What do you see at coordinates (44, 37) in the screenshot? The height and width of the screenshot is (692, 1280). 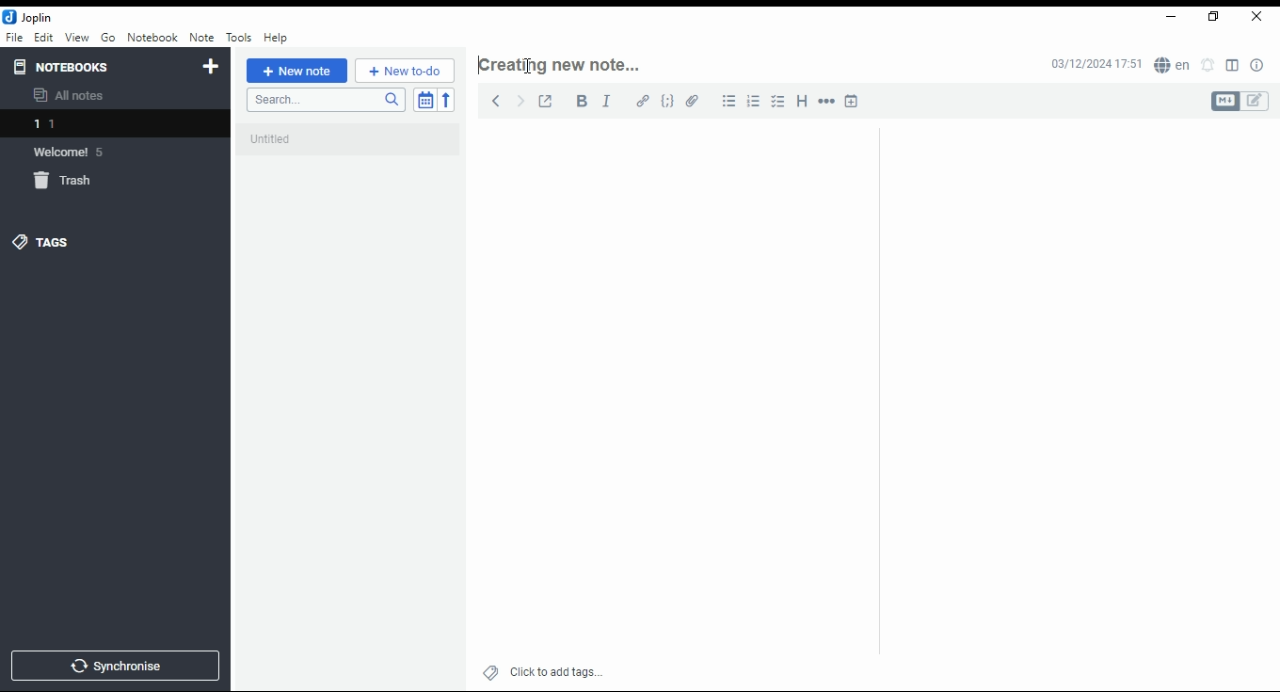 I see `edit` at bounding box center [44, 37].